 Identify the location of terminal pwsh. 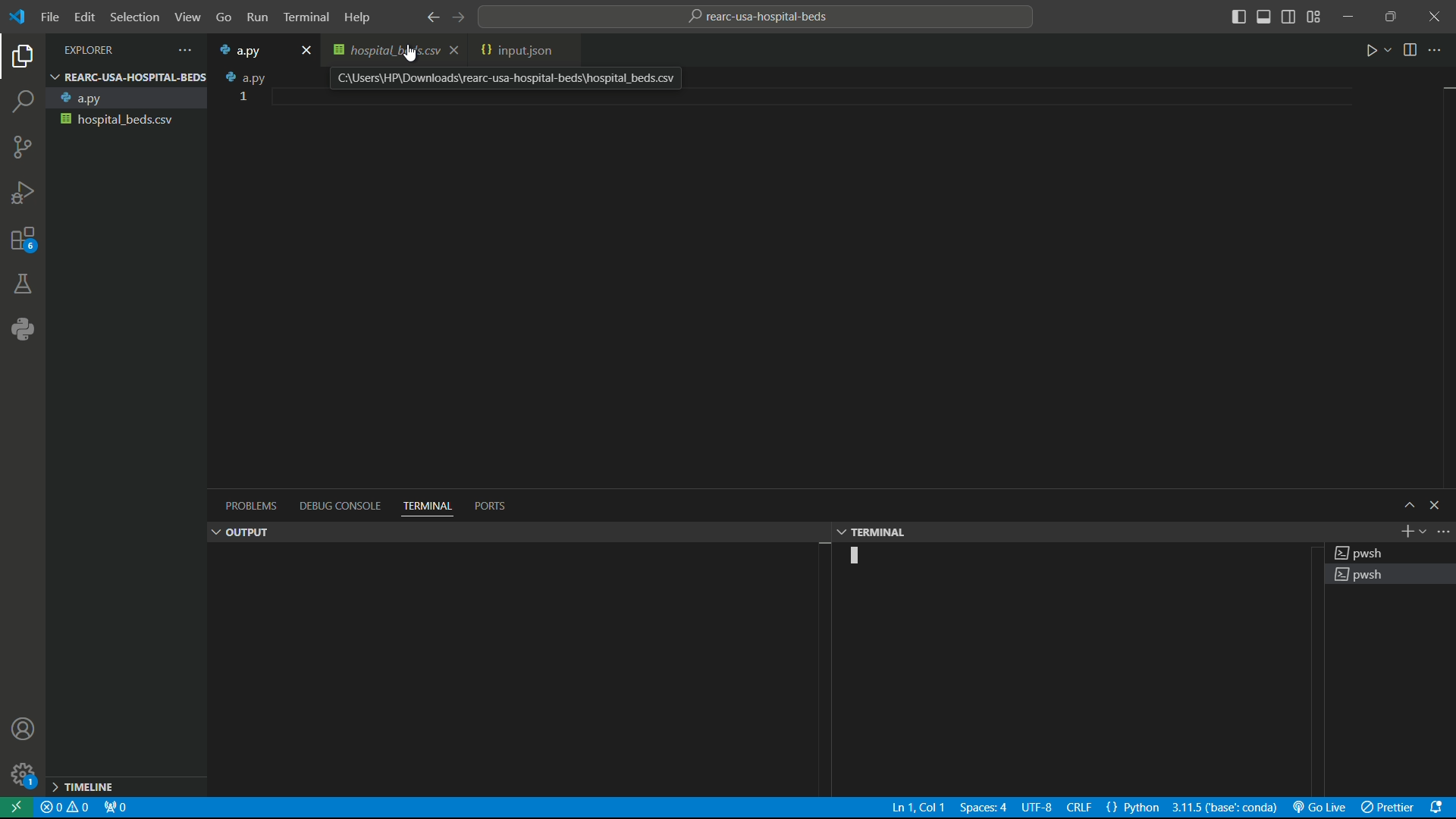
(1391, 553).